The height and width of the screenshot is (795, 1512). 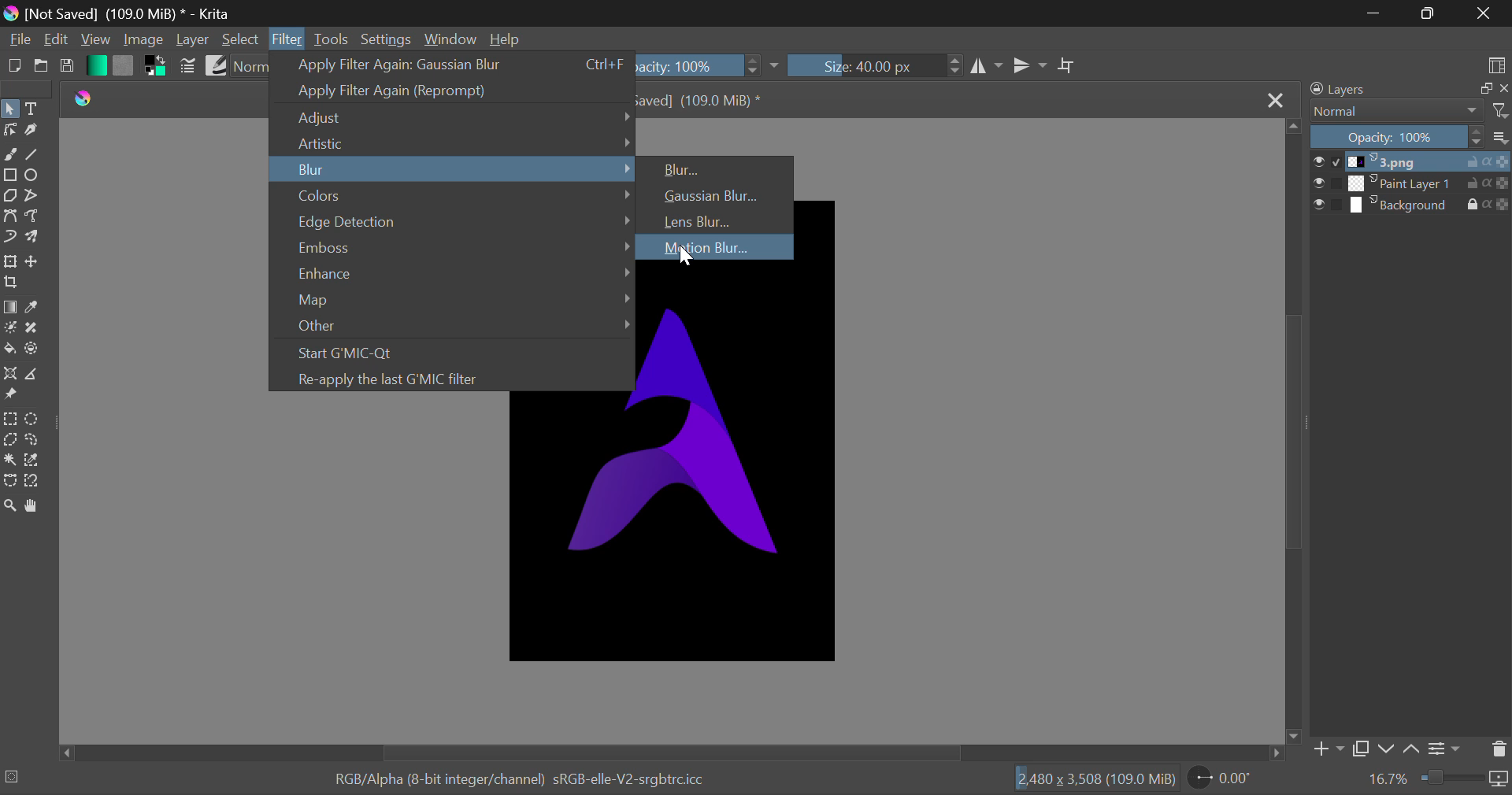 I want to click on Cursor on Motion Blur, so click(x=686, y=258).